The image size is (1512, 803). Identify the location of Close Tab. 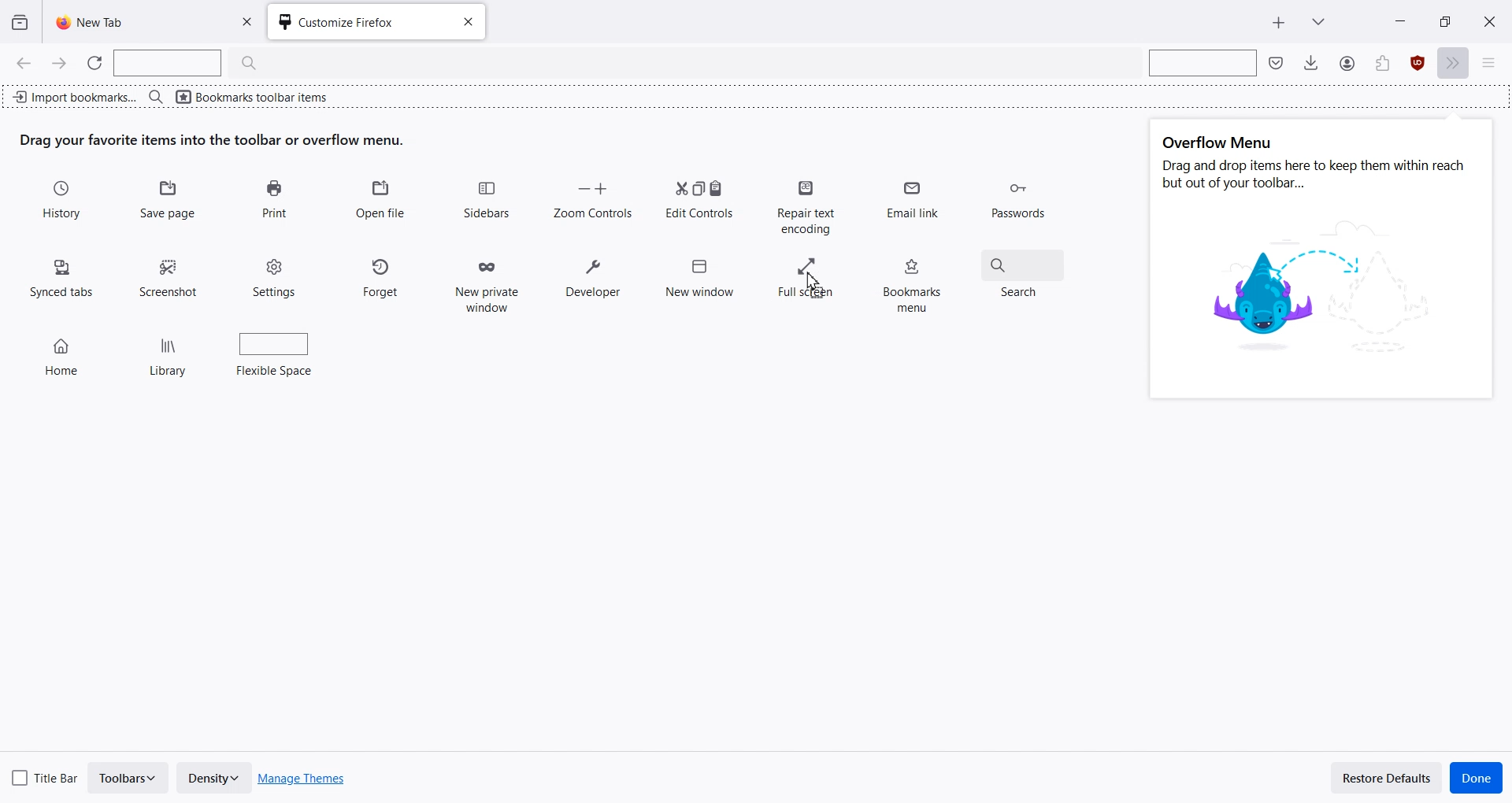
(251, 22).